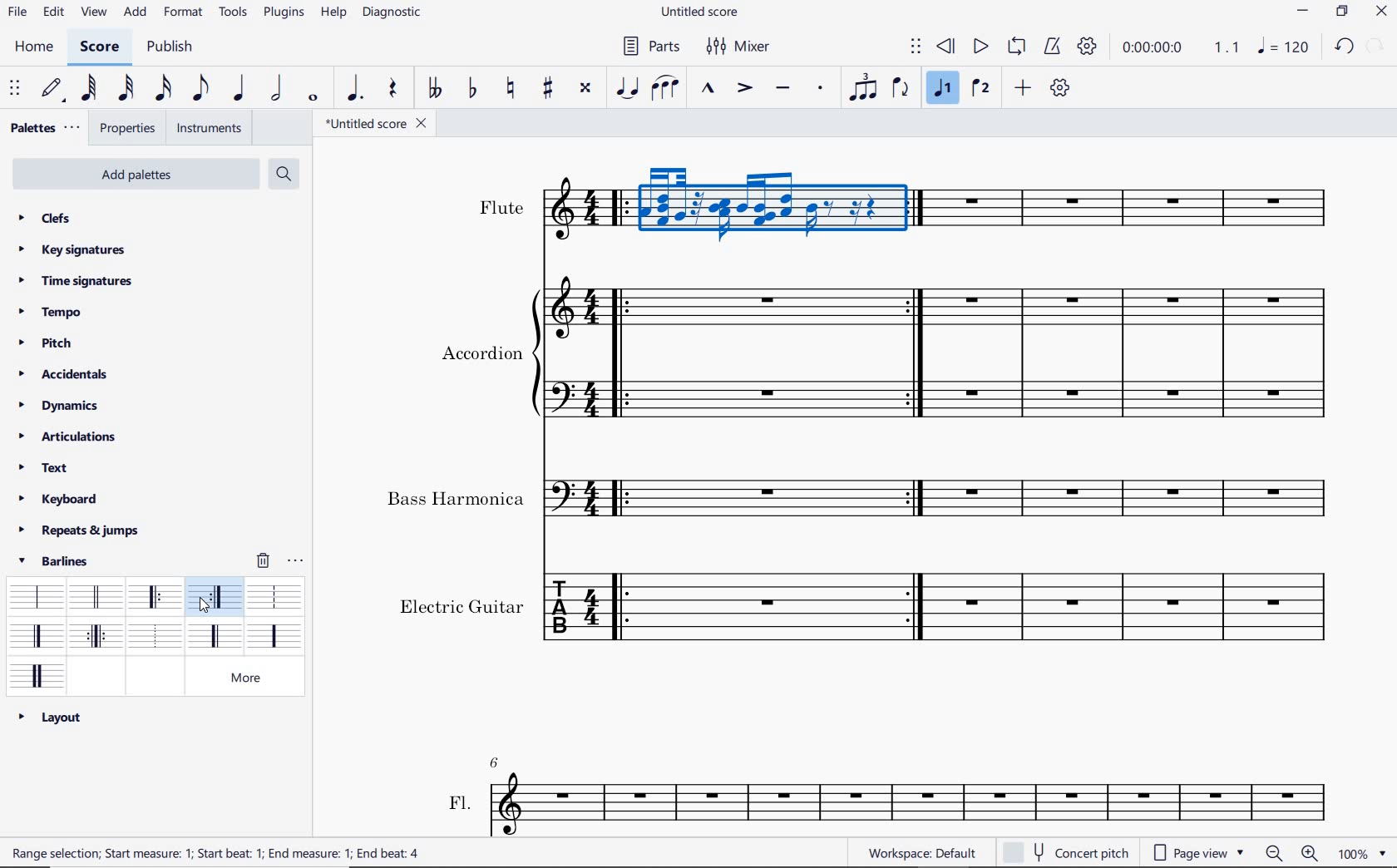 The height and width of the screenshot is (868, 1397). Describe the element at coordinates (1143, 208) in the screenshot. I see `Instrument: Electric guitar` at that location.